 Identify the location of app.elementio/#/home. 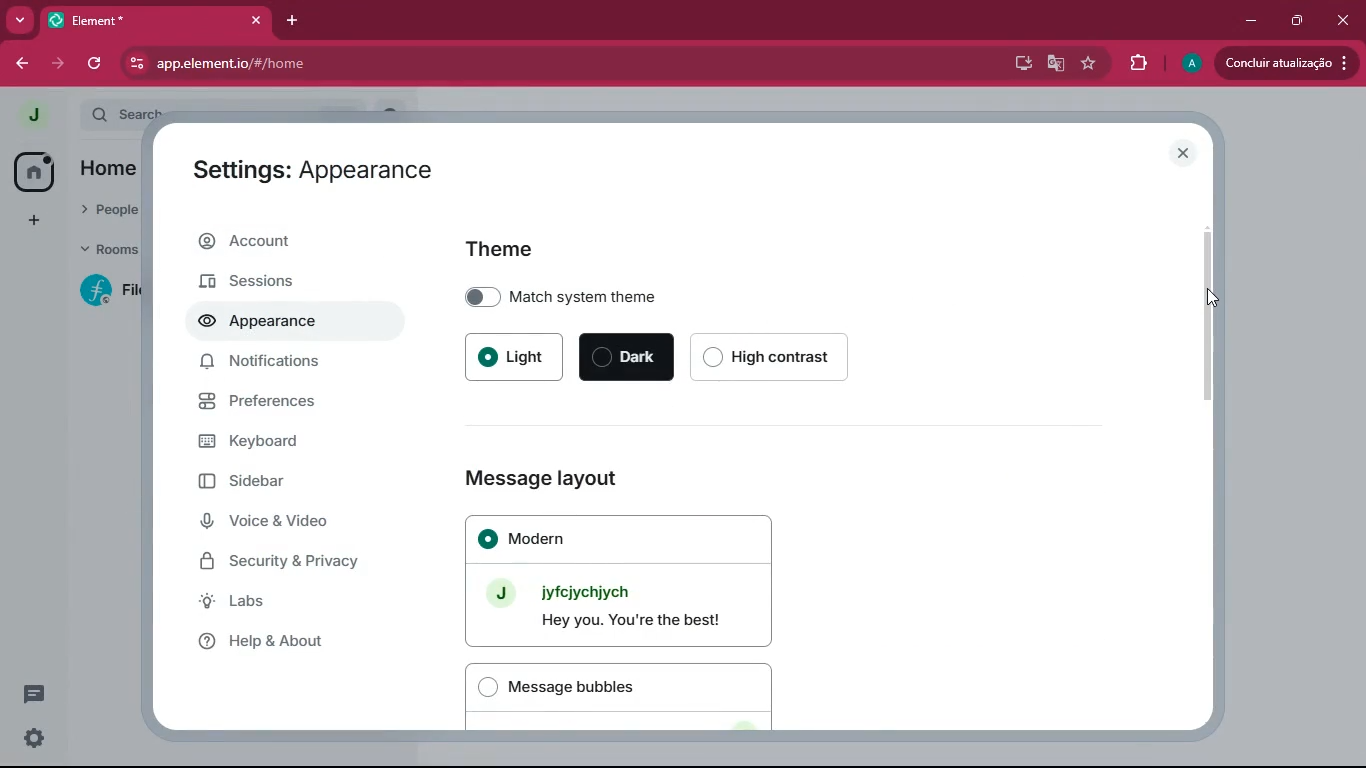
(371, 63).